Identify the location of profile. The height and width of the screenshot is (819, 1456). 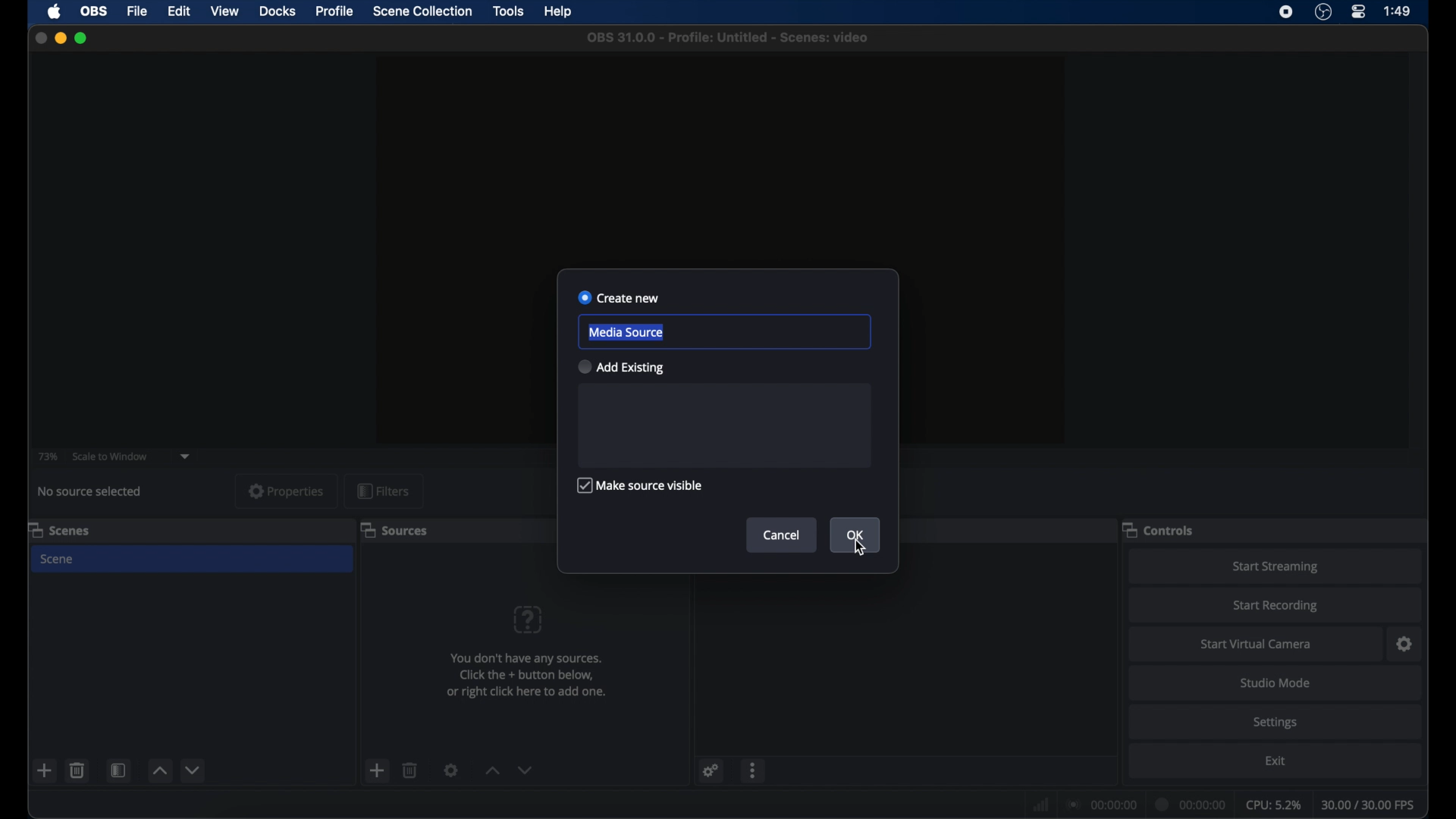
(336, 11).